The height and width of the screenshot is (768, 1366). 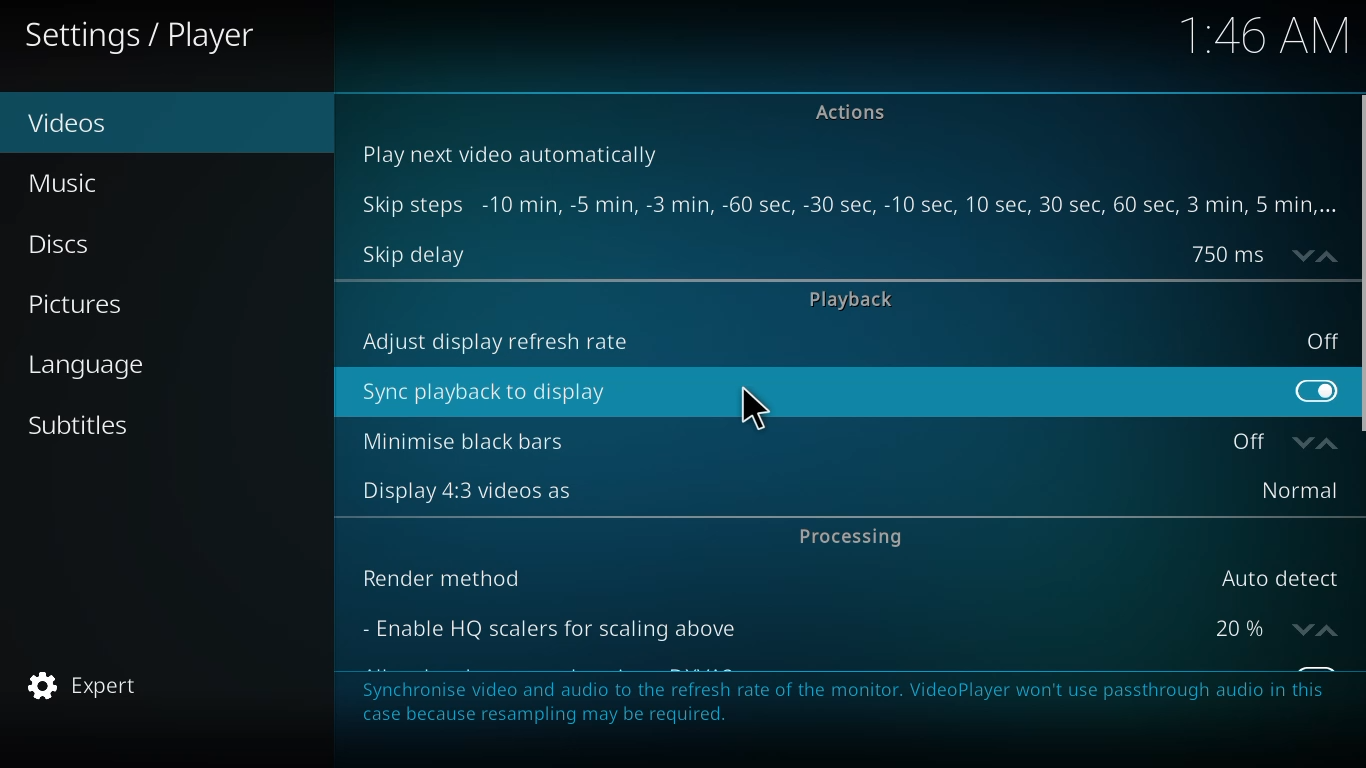 What do you see at coordinates (445, 580) in the screenshot?
I see `render method` at bounding box center [445, 580].